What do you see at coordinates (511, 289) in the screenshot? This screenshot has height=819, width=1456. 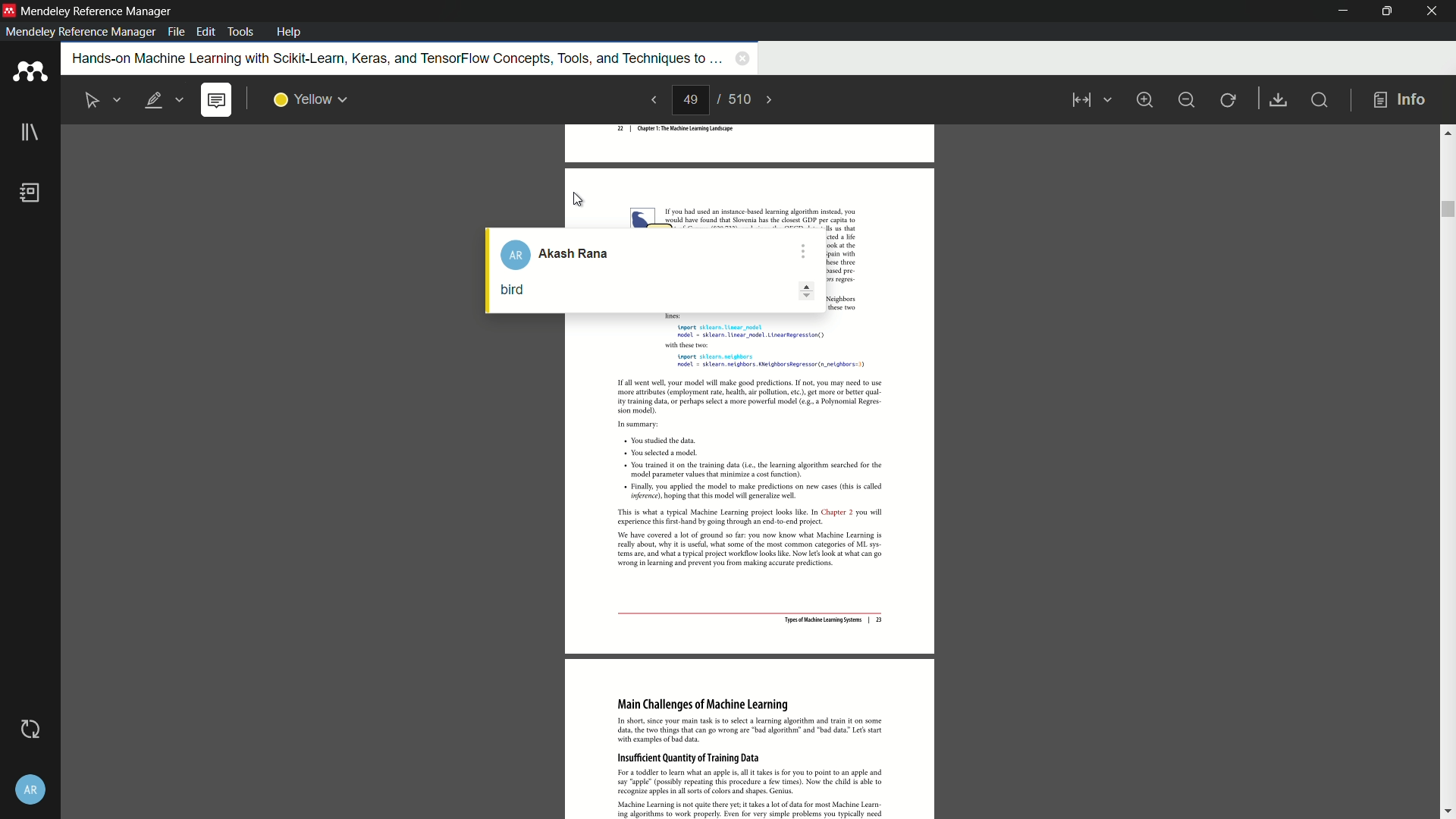 I see `bird` at bounding box center [511, 289].